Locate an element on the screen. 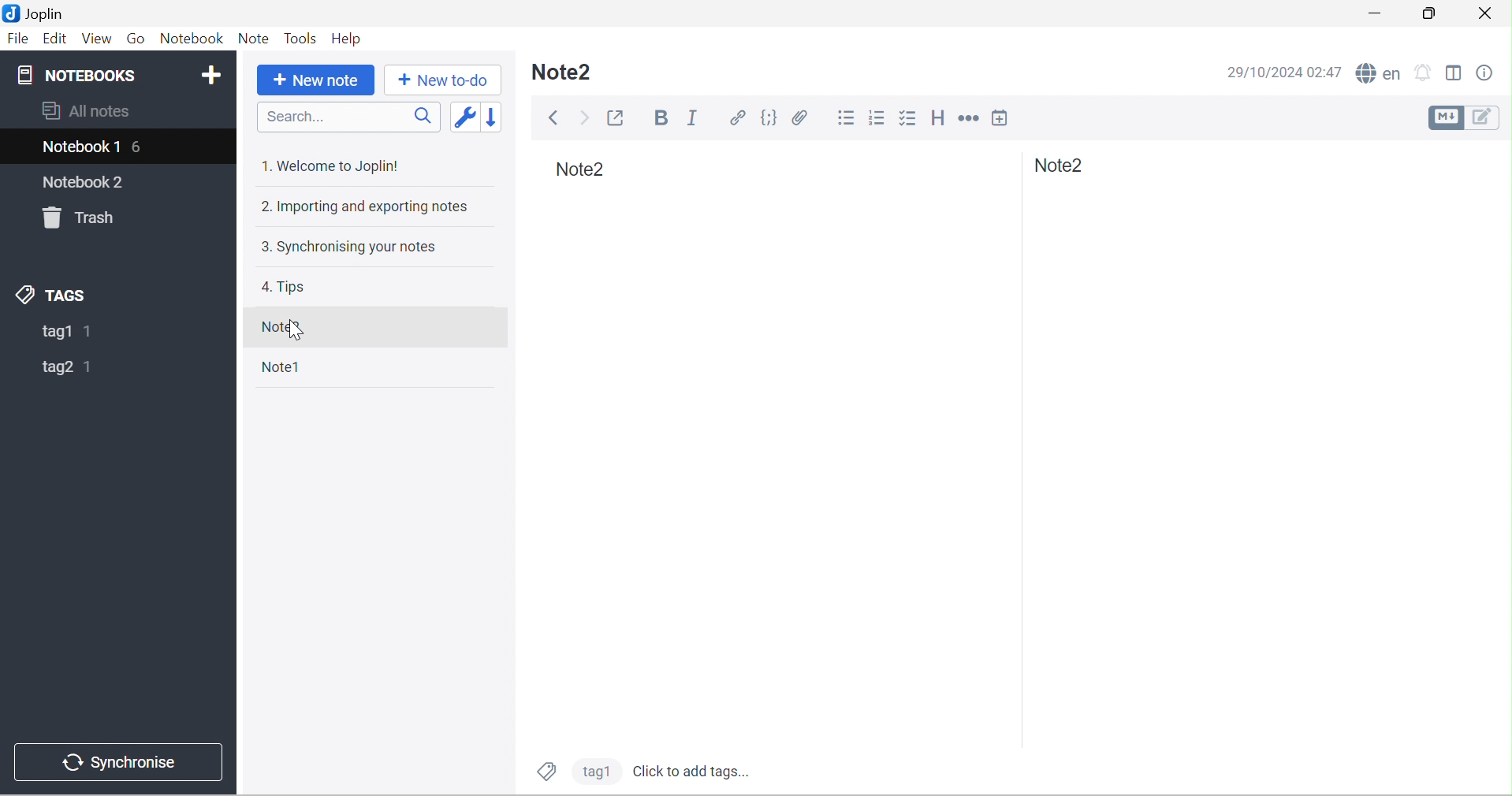 The width and height of the screenshot is (1512, 796). Heading is located at coordinates (940, 120).